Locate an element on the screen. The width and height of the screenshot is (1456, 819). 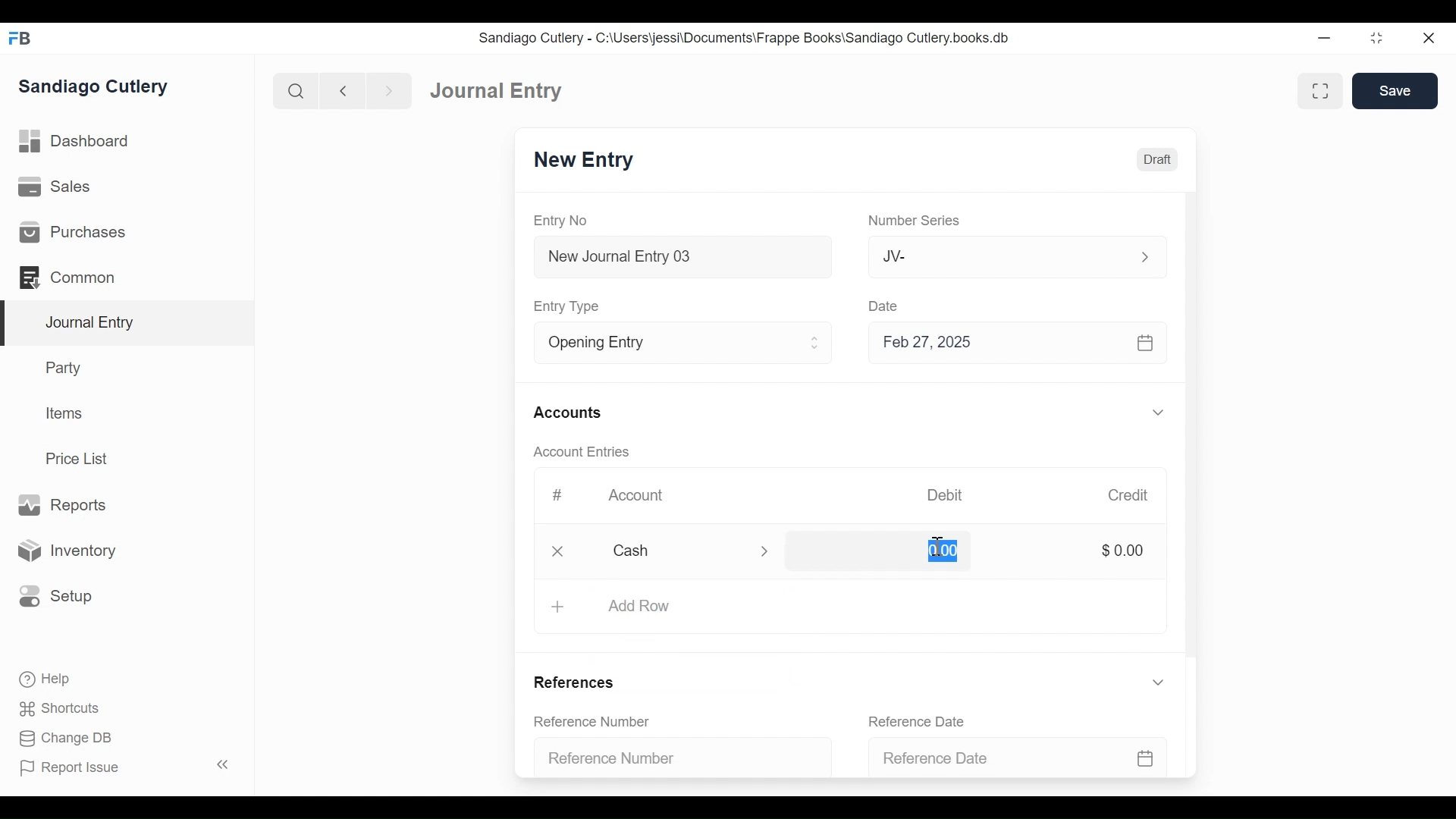
Sandiago Cutlery - C:\Users\jessi\Documents\Frappe Books\Sandiago Cutlery.books.db is located at coordinates (745, 37).